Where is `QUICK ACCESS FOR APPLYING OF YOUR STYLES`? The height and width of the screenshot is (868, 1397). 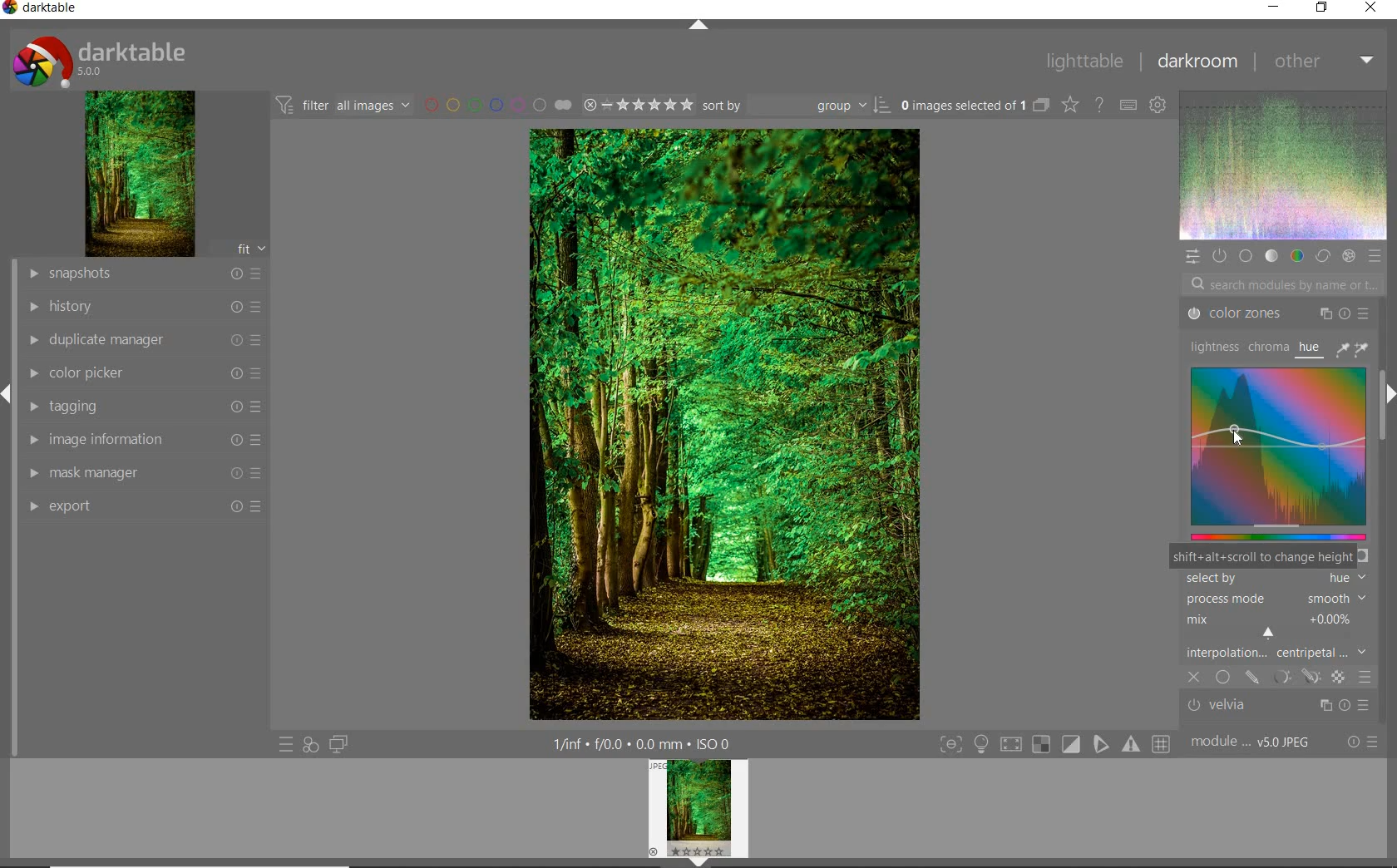 QUICK ACCESS FOR APPLYING OF YOUR STYLES is located at coordinates (309, 745).